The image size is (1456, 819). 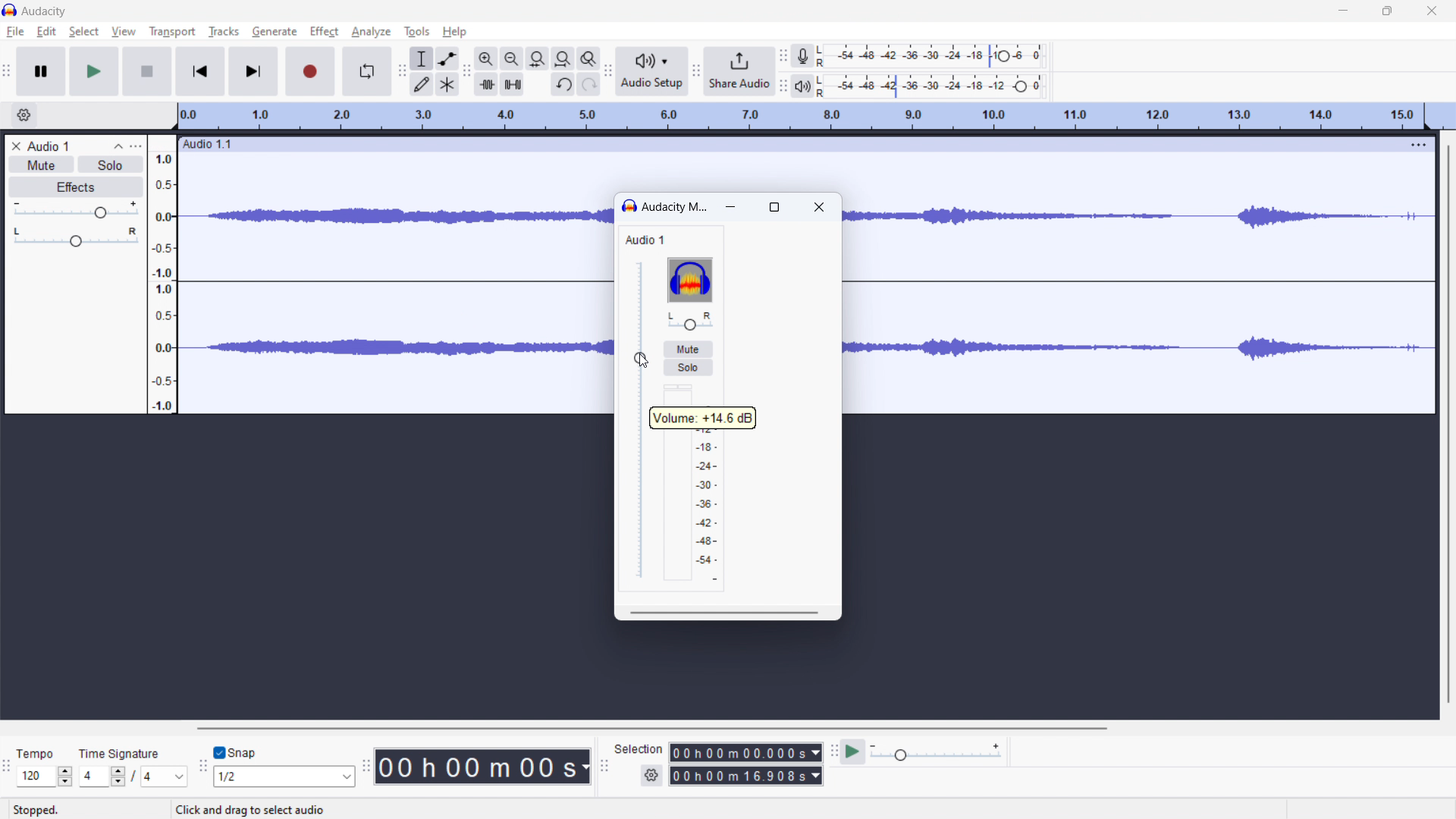 I want to click on bead position changed, so click(x=640, y=358).